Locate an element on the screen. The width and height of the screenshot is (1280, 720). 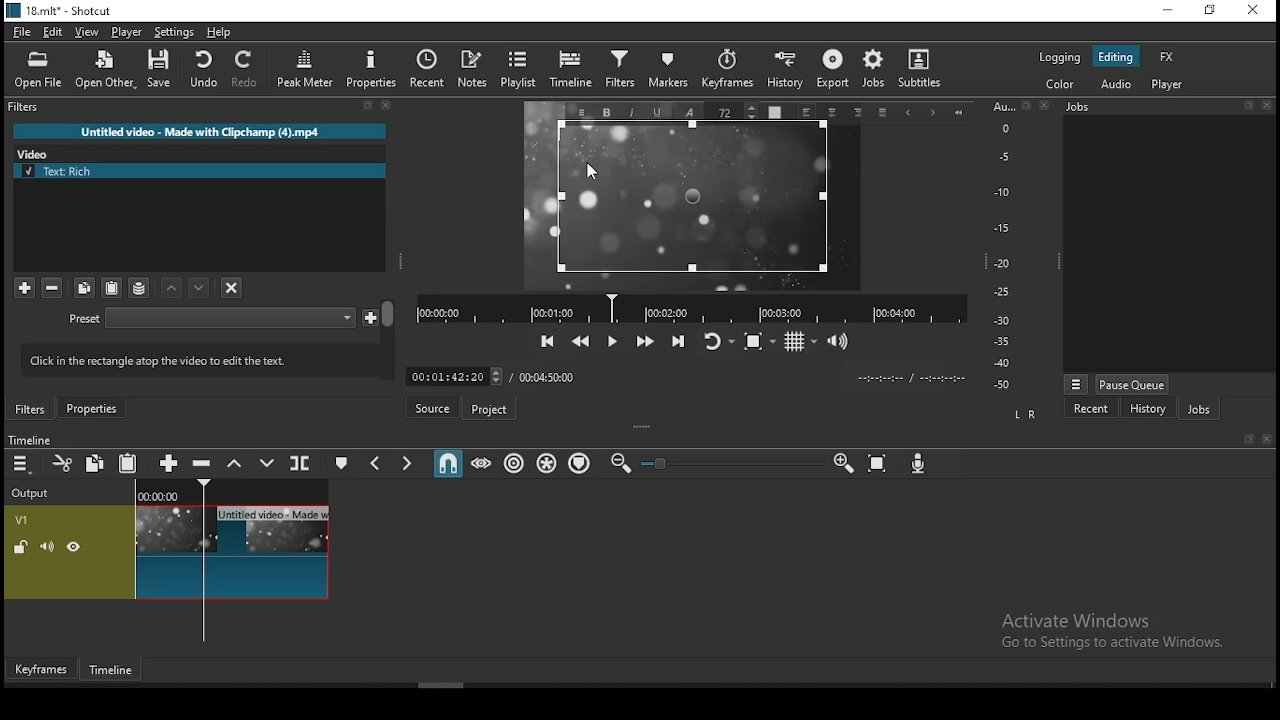
jobs is located at coordinates (1198, 408).